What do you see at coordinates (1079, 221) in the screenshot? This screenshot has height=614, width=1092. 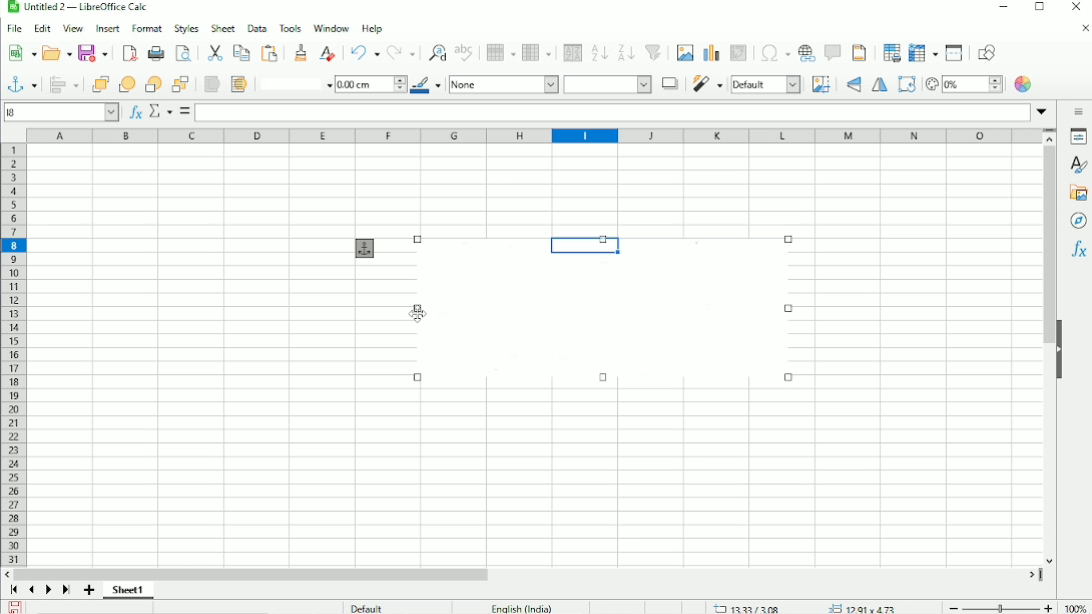 I see `Navigator` at bounding box center [1079, 221].